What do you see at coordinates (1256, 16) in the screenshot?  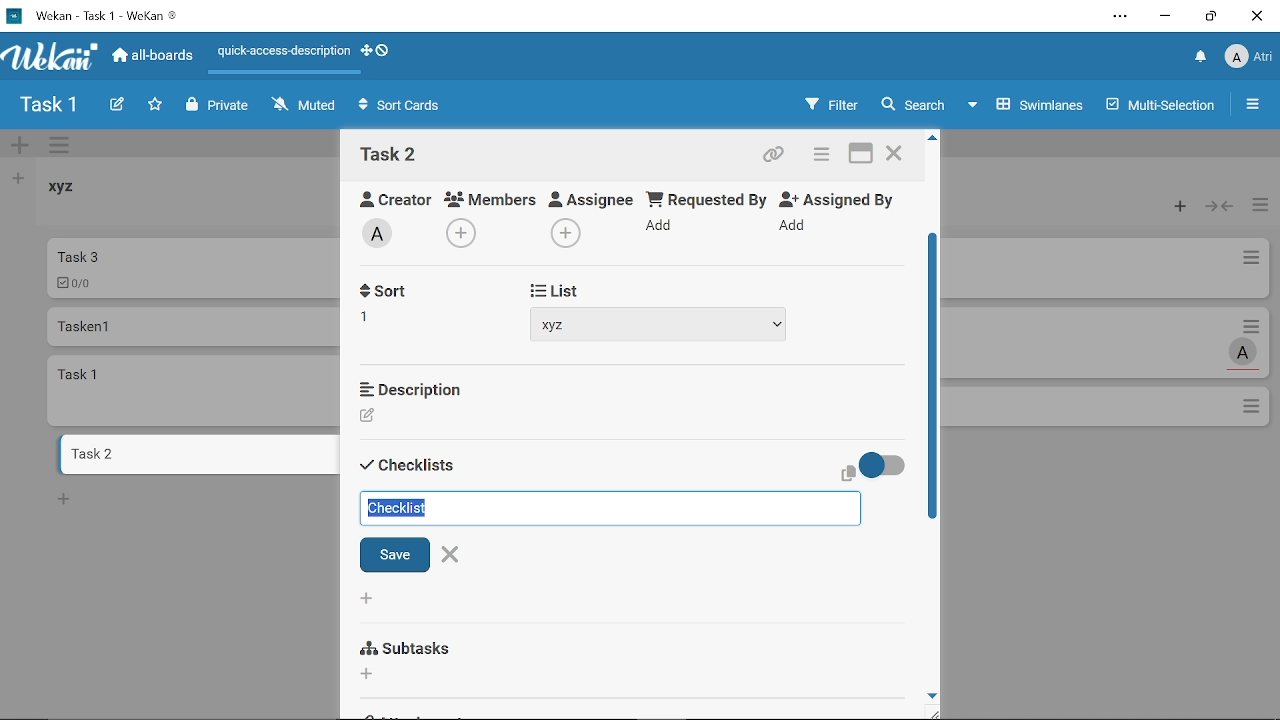 I see `Close` at bounding box center [1256, 16].